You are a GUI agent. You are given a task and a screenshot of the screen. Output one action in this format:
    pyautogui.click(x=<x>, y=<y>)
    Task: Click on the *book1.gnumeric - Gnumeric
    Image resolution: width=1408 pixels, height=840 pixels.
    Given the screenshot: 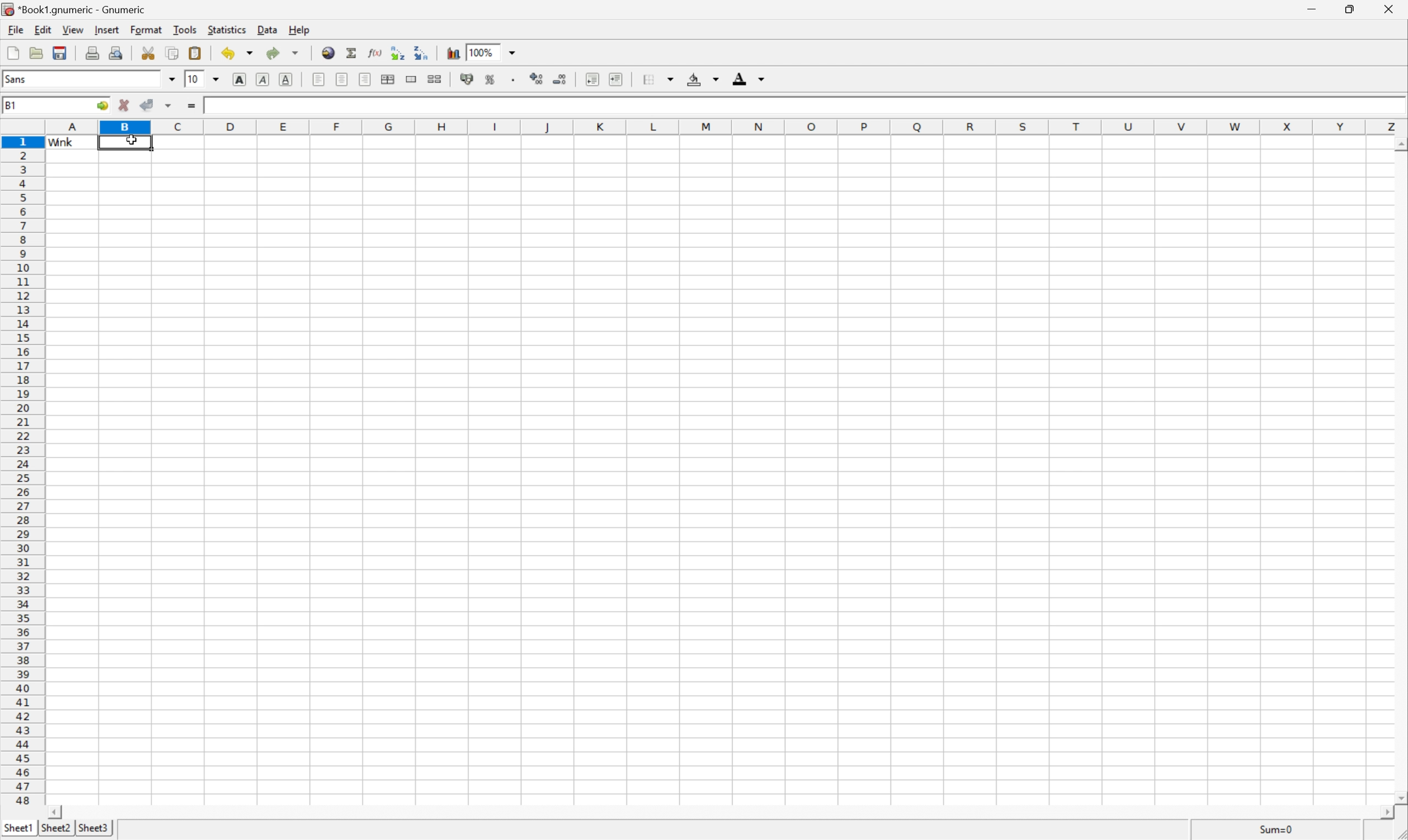 What is the action you would take?
    pyautogui.click(x=74, y=9)
    